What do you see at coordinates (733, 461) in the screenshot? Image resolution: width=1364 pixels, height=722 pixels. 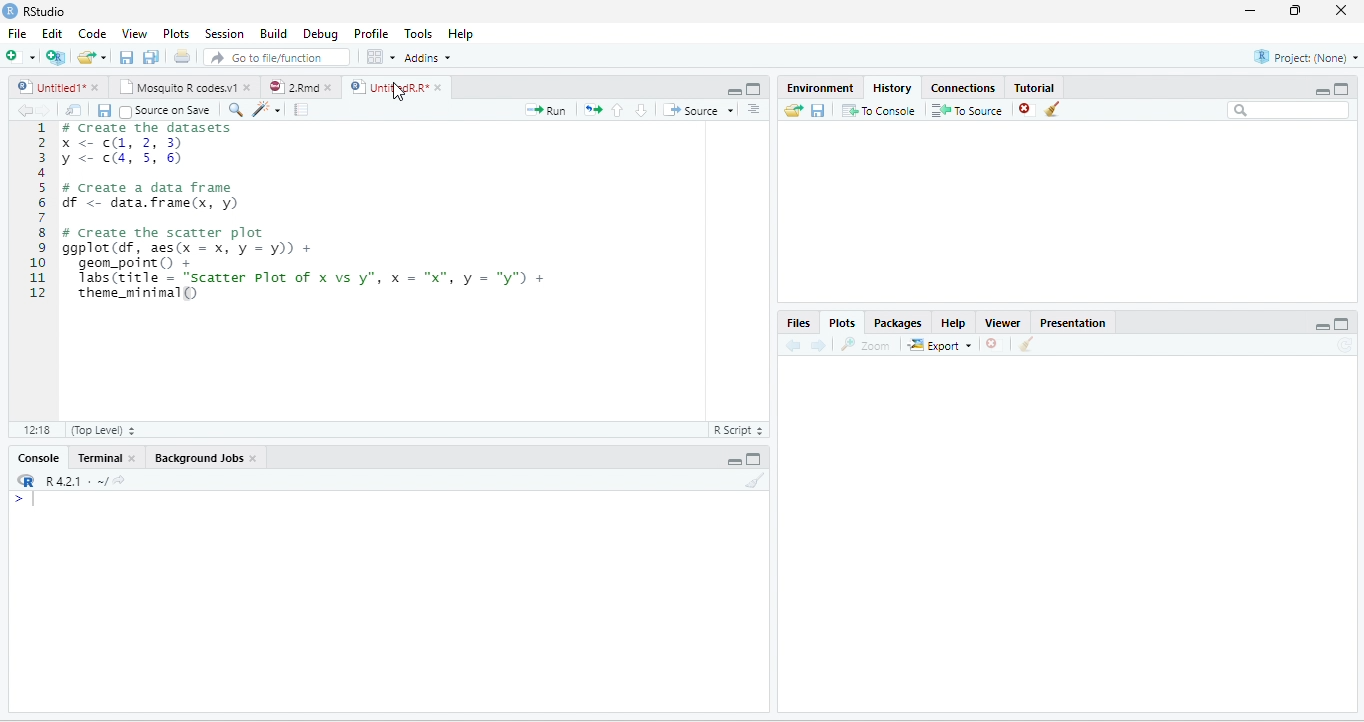 I see `Minimize` at bounding box center [733, 461].